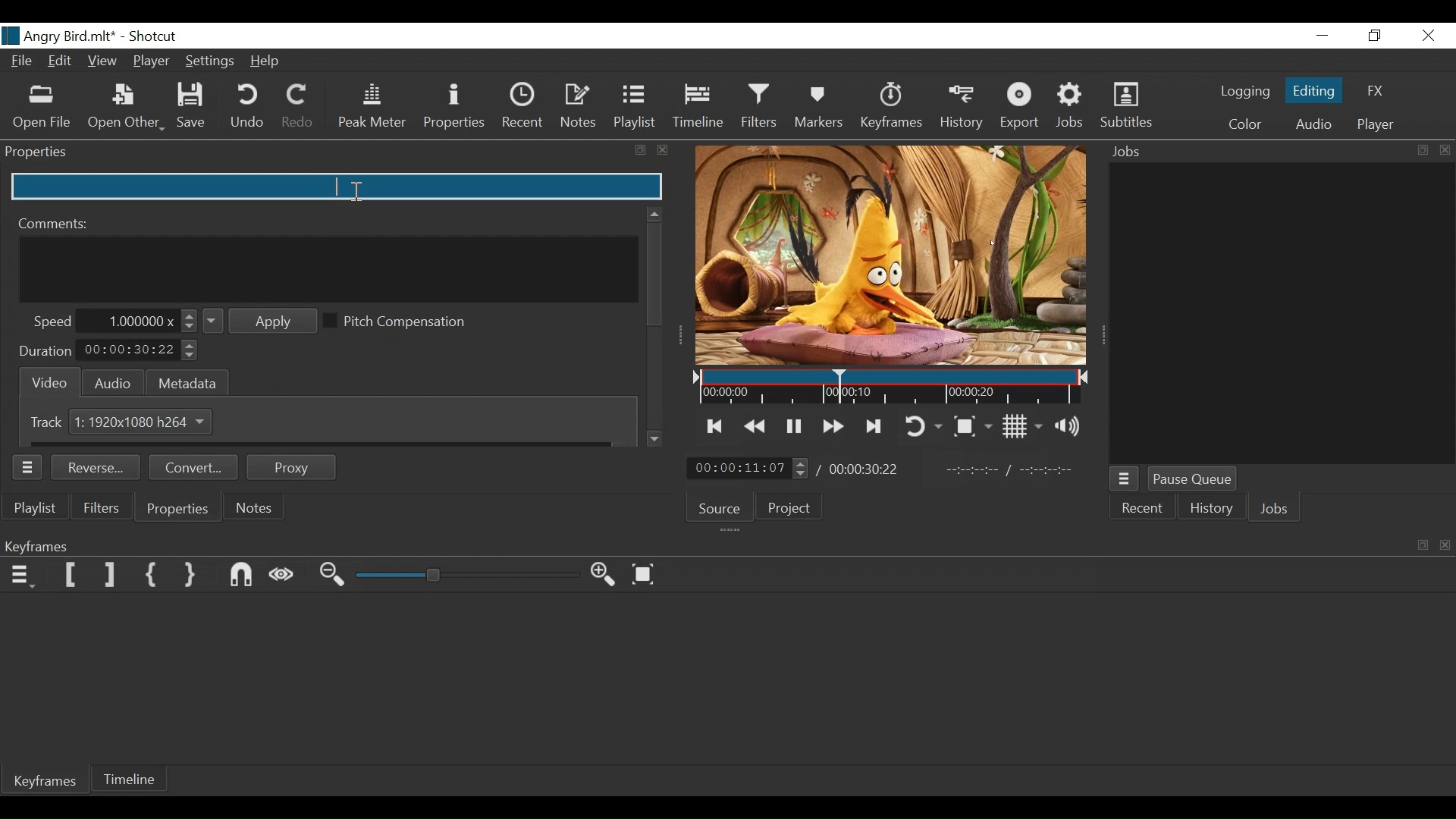 This screenshot has width=1456, height=819. I want to click on Undo, so click(247, 108).